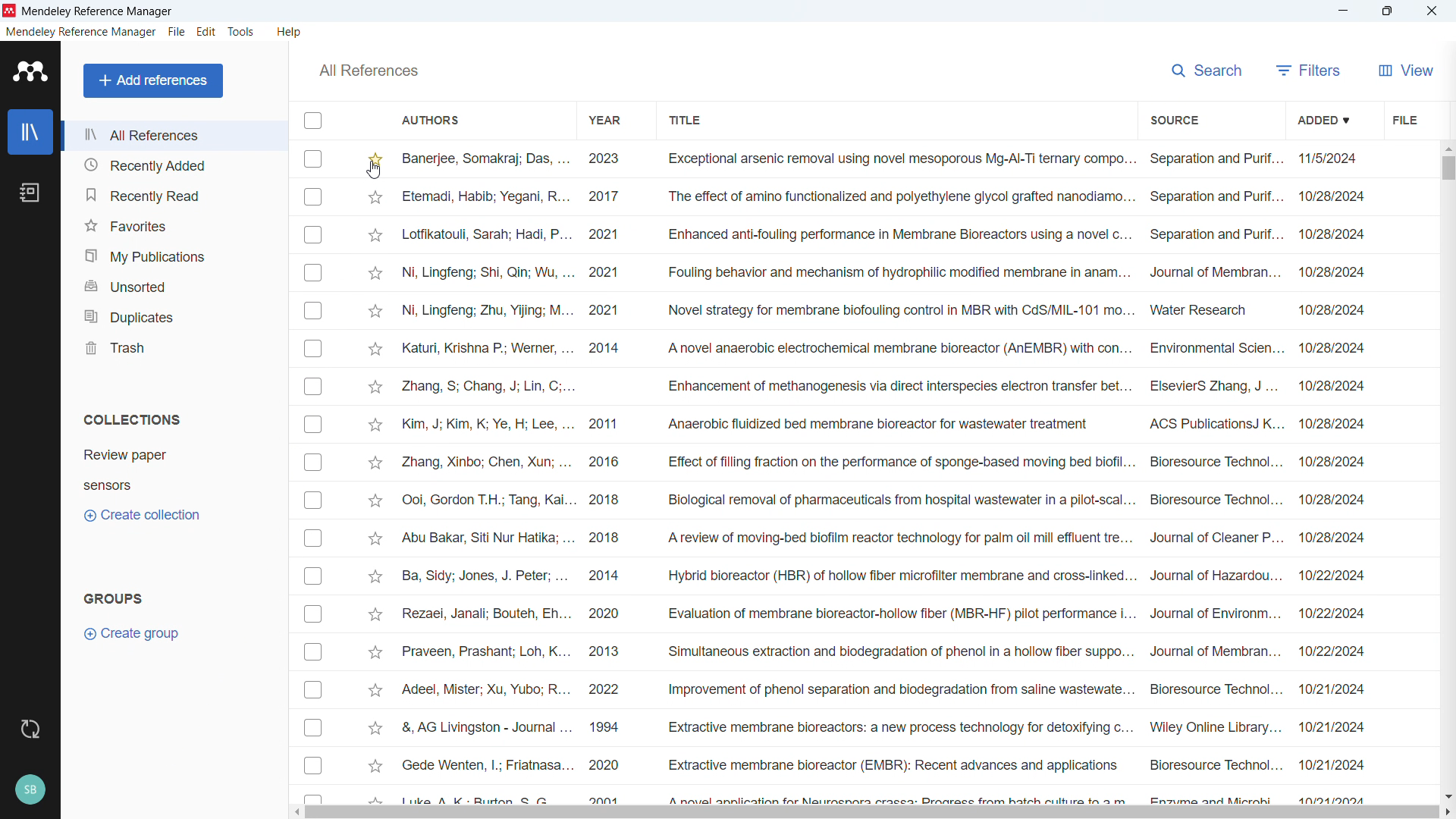 This screenshot has height=819, width=1456. What do you see at coordinates (1447, 811) in the screenshot?
I see `Scroll right ` at bounding box center [1447, 811].